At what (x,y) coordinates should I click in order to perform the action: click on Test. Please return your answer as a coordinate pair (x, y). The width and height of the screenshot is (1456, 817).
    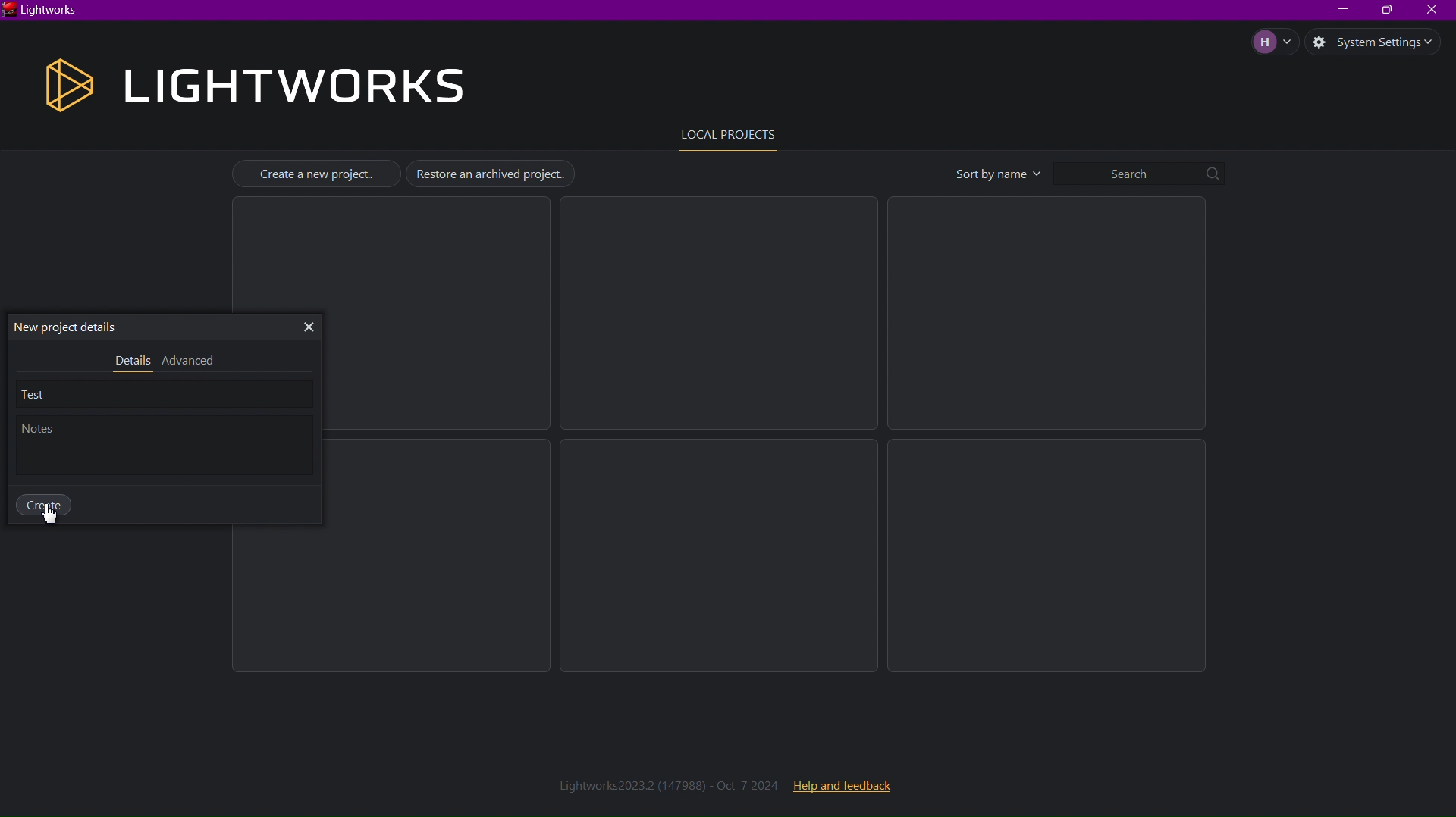
    Looking at the image, I should click on (54, 393).